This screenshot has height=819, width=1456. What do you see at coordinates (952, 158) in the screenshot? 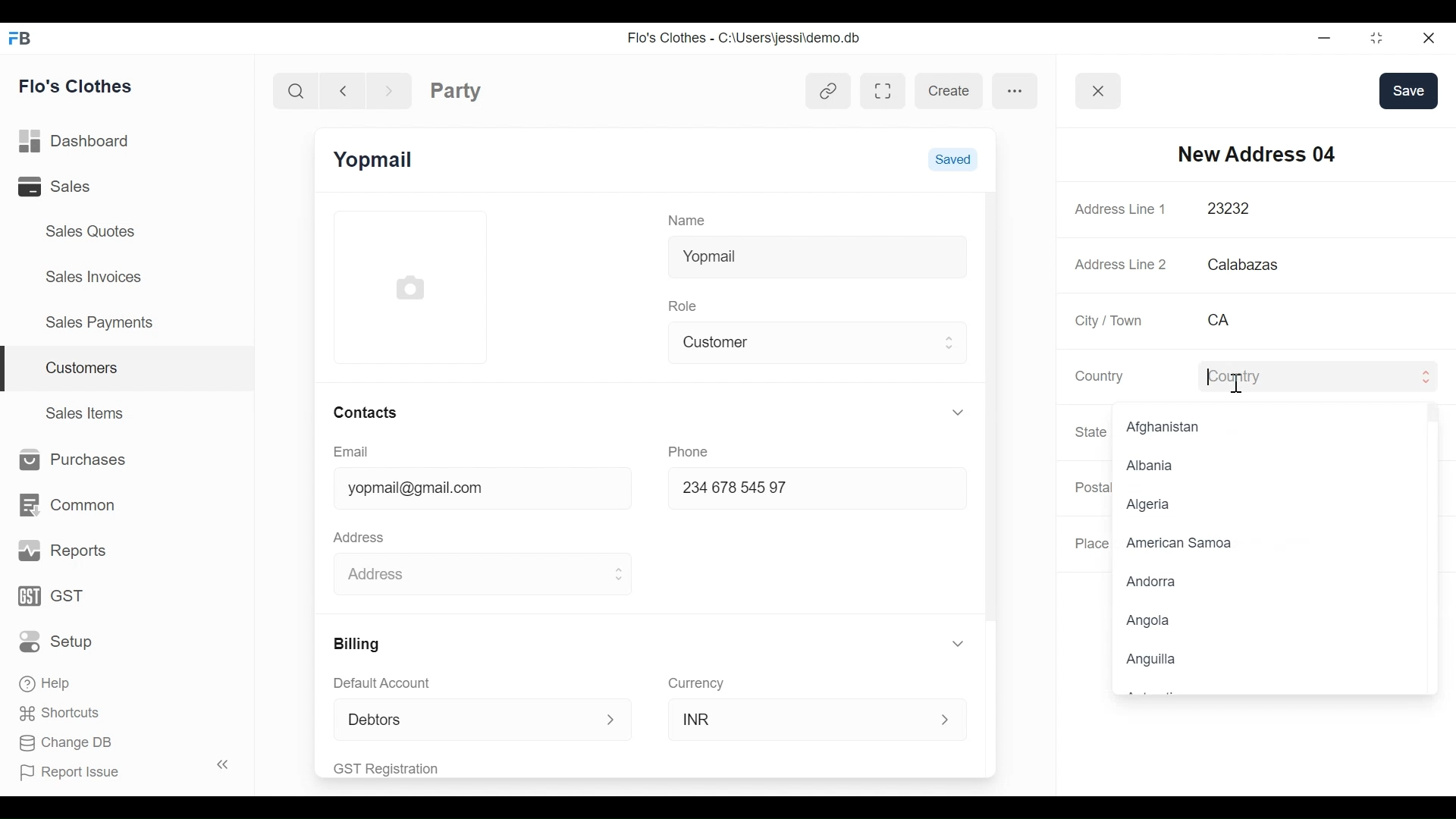
I see `Saved` at bounding box center [952, 158].